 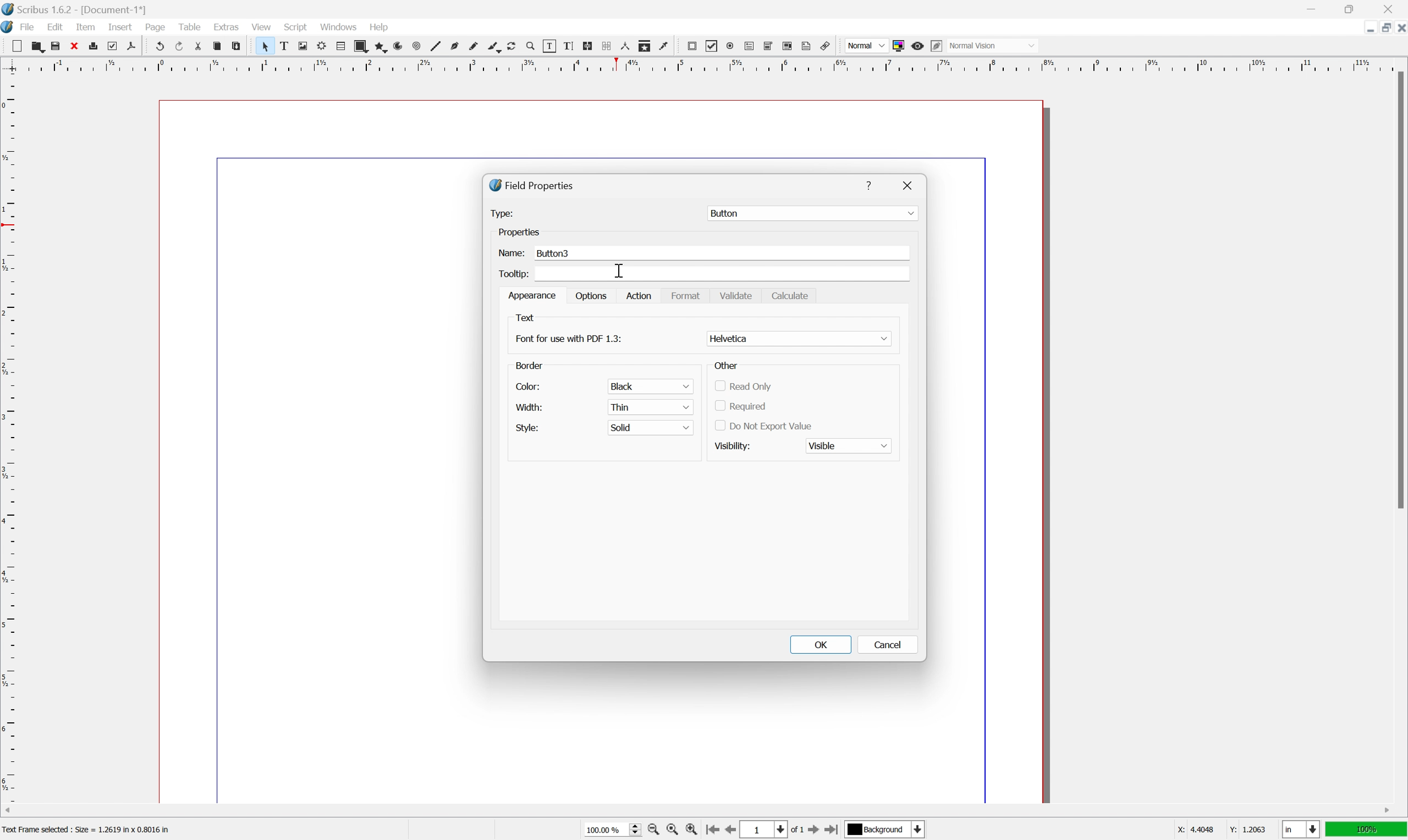 I want to click on Type:, so click(x=499, y=212).